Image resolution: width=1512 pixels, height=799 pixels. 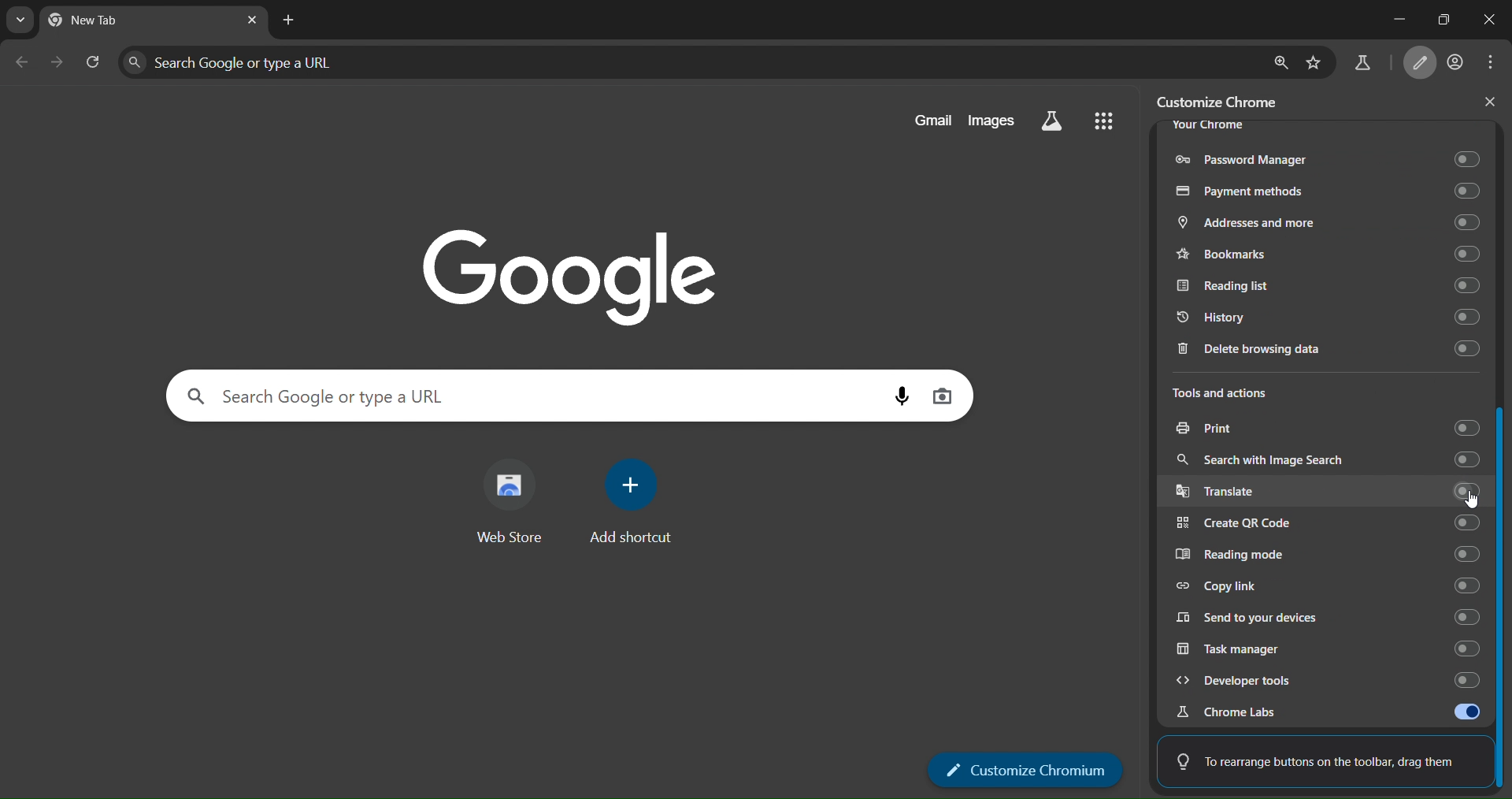 I want to click on bookmarks, so click(x=1327, y=252).